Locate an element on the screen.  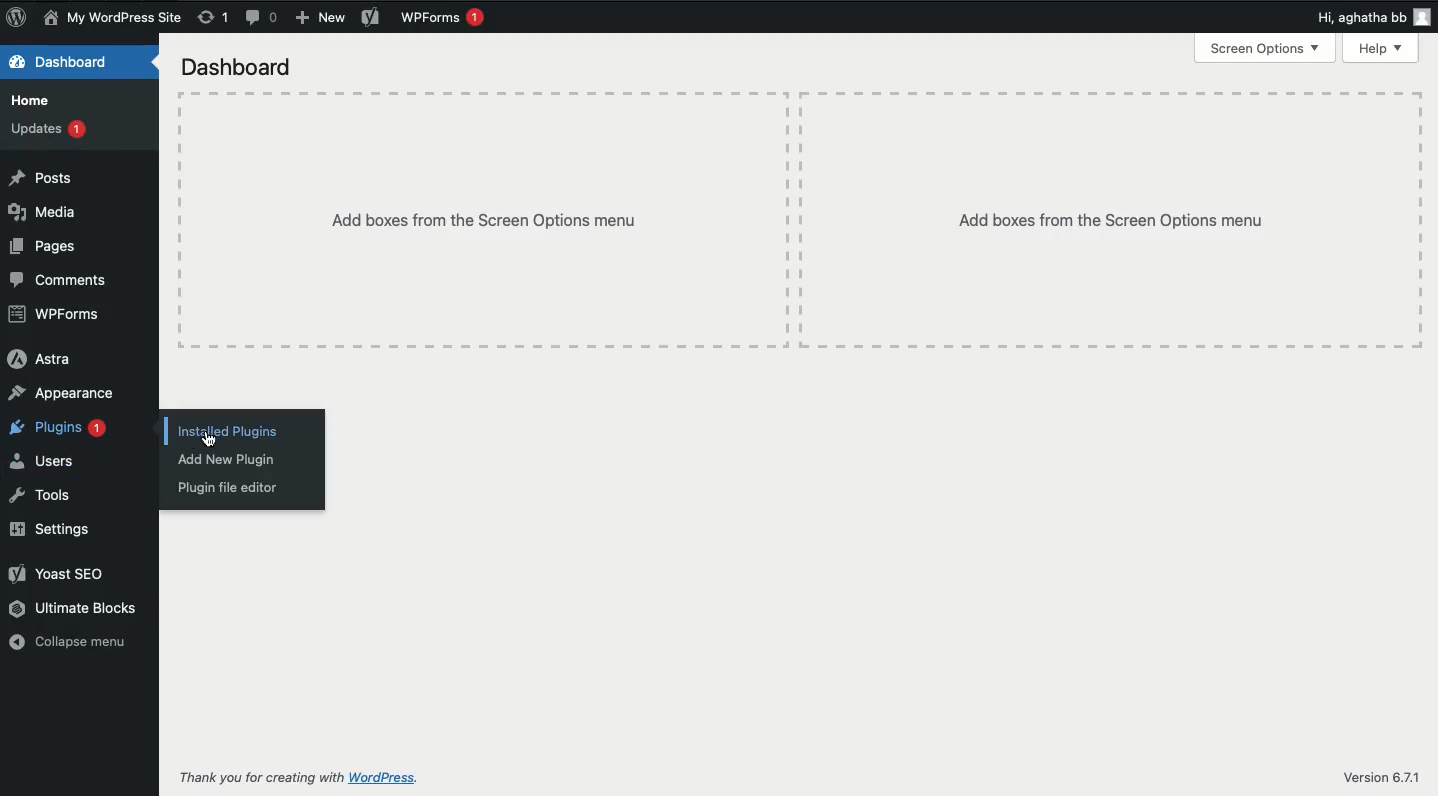
Astra is located at coordinates (41, 358).